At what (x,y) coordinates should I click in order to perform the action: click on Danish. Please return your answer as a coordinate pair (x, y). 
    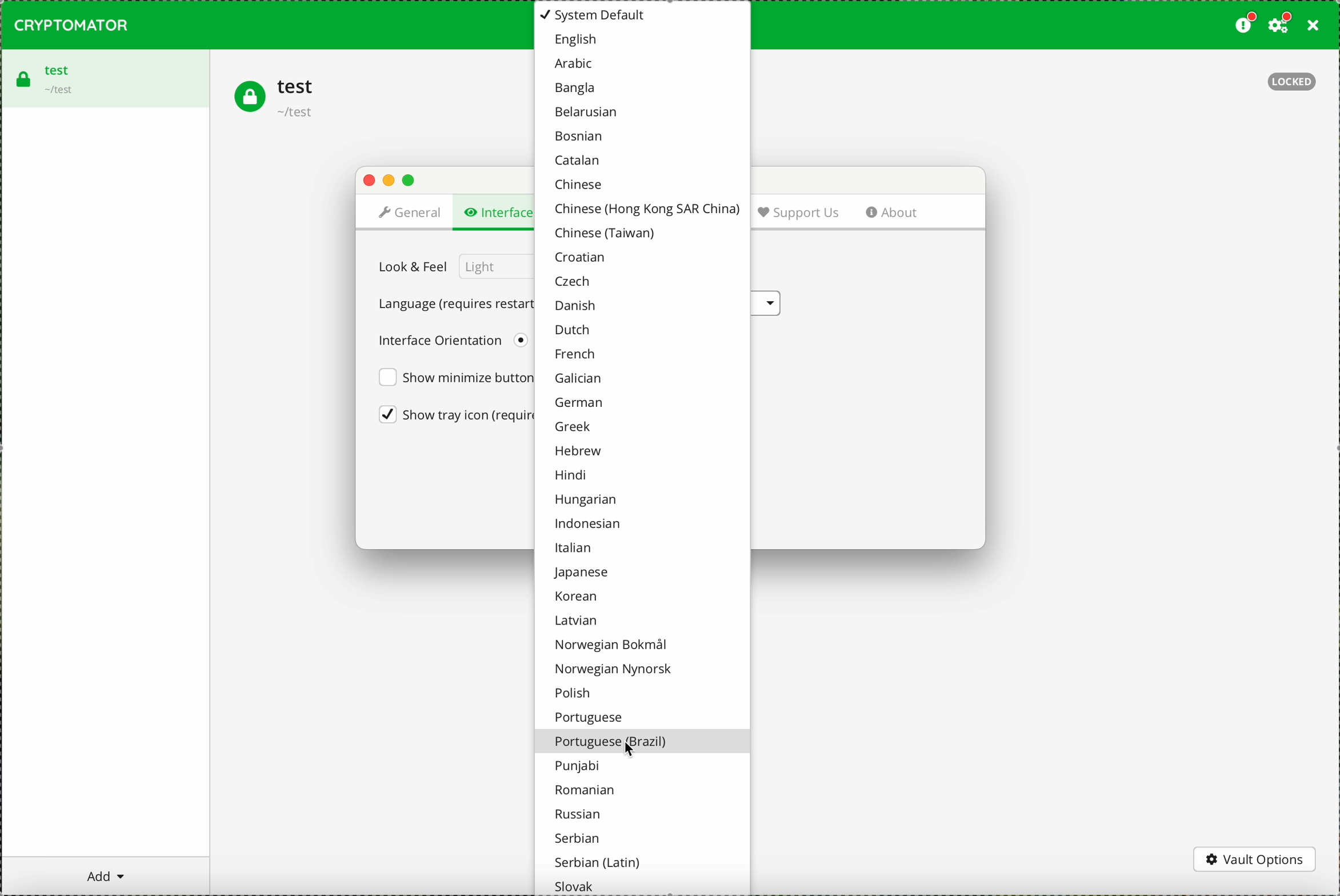
    Looking at the image, I should click on (577, 305).